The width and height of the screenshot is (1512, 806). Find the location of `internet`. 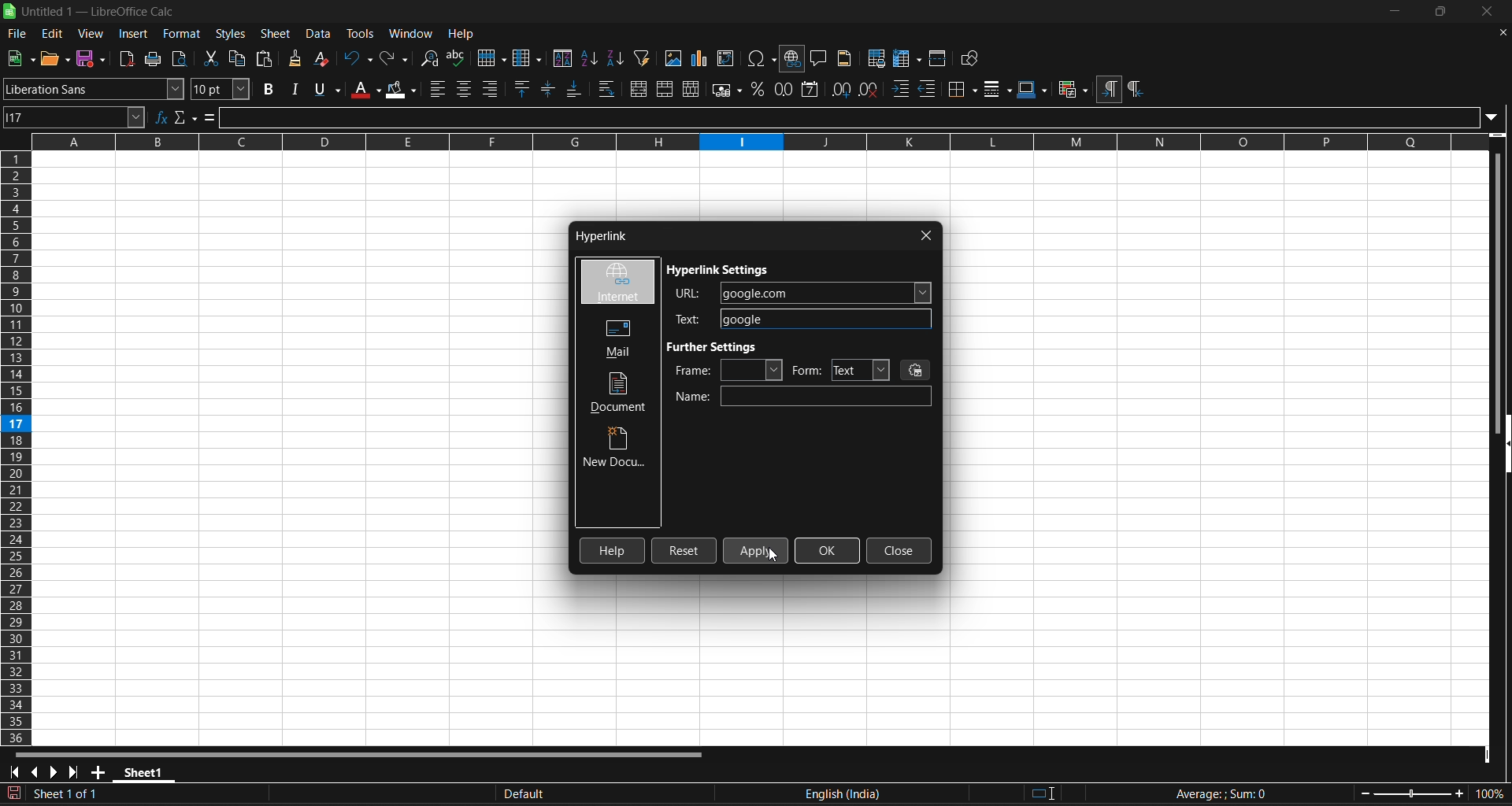

internet is located at coordinates (617, 283).